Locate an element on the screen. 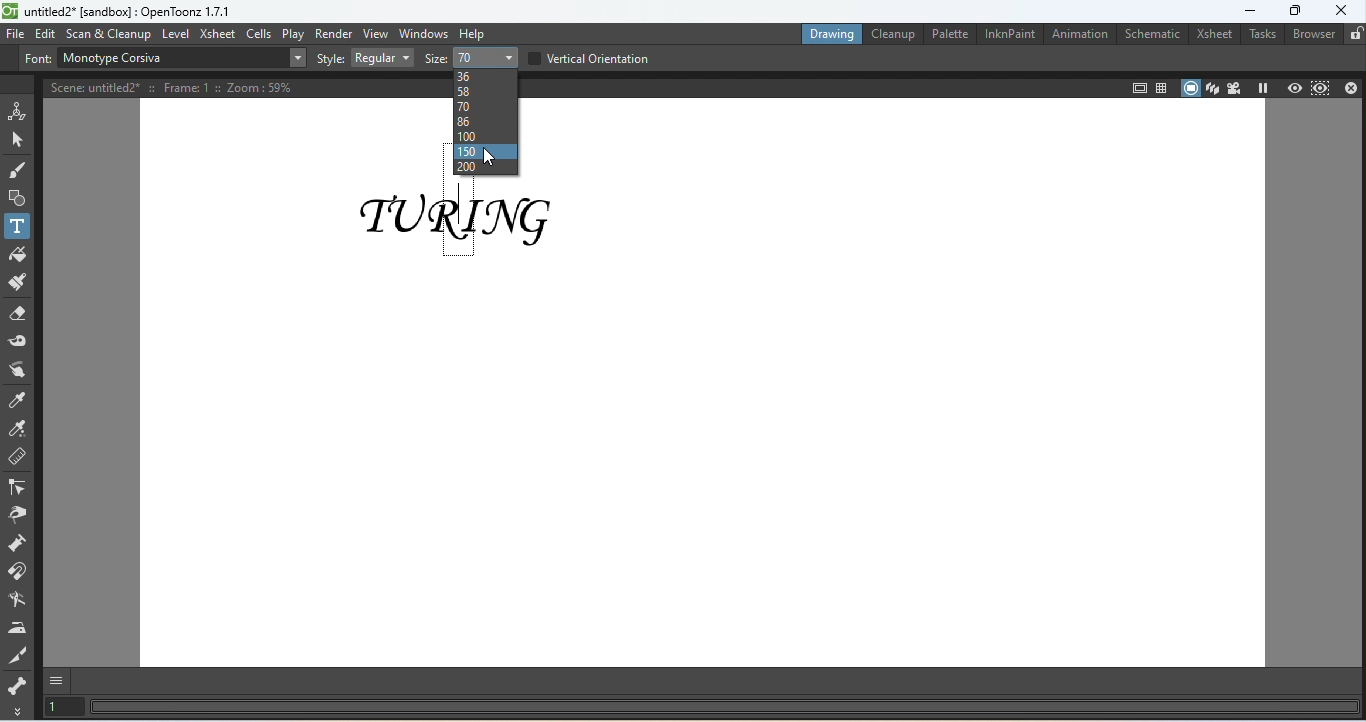  Edit is located at coordinates (46, 33).